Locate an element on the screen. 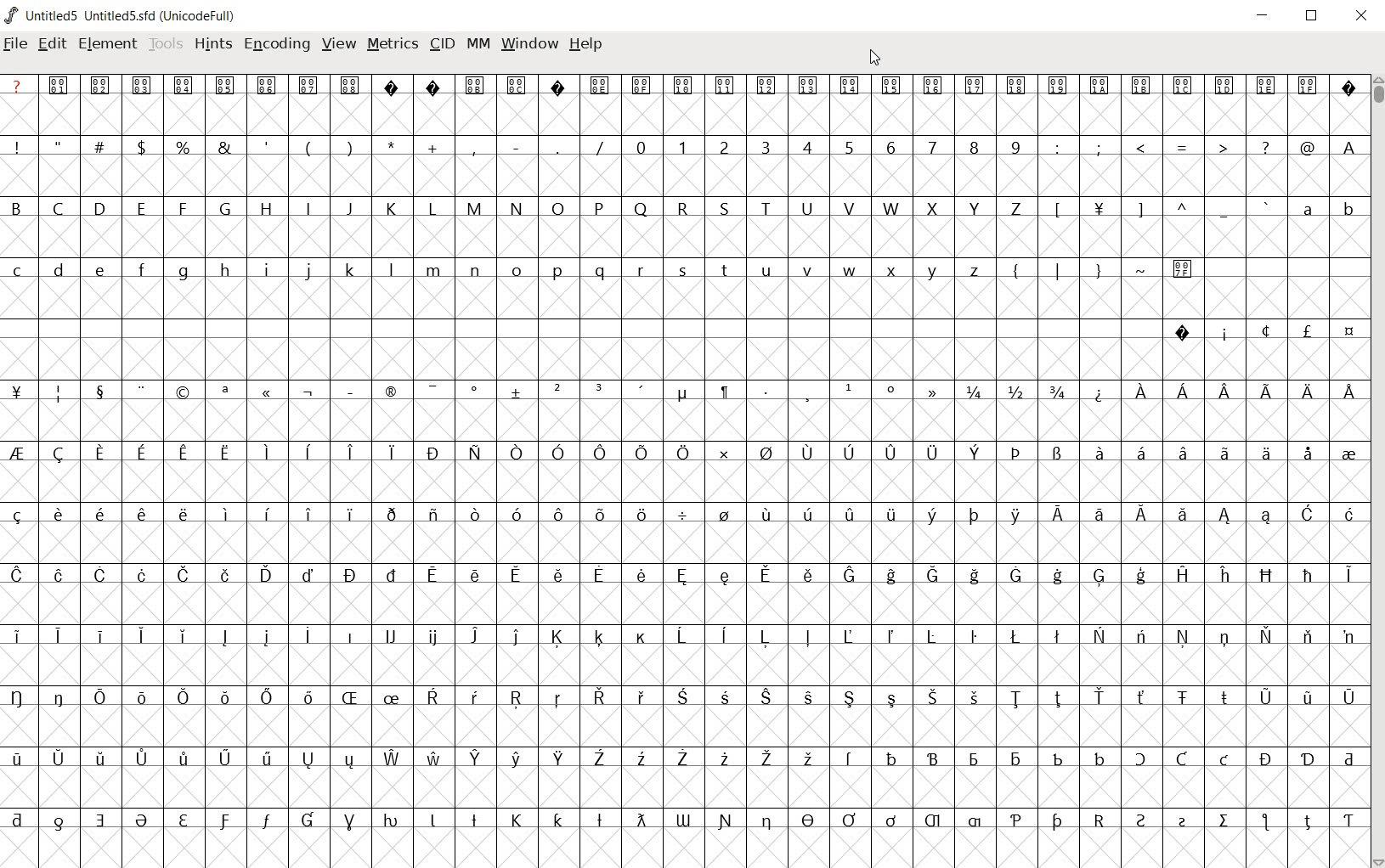 The height and width of the screenshot is (868, 1385). - is located at coordinates (516, 146).